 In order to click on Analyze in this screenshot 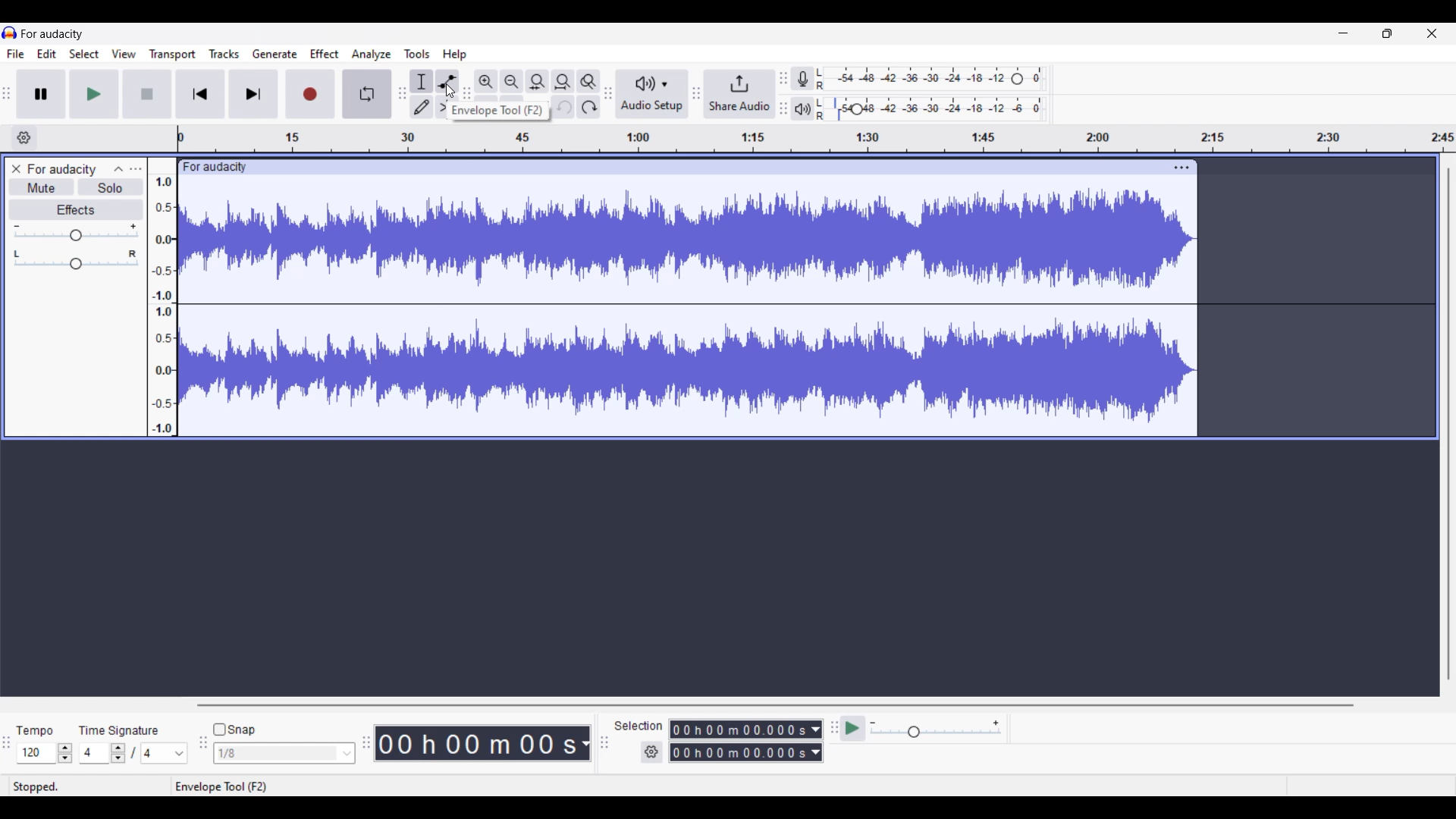, I will do `click(372, 55)`.